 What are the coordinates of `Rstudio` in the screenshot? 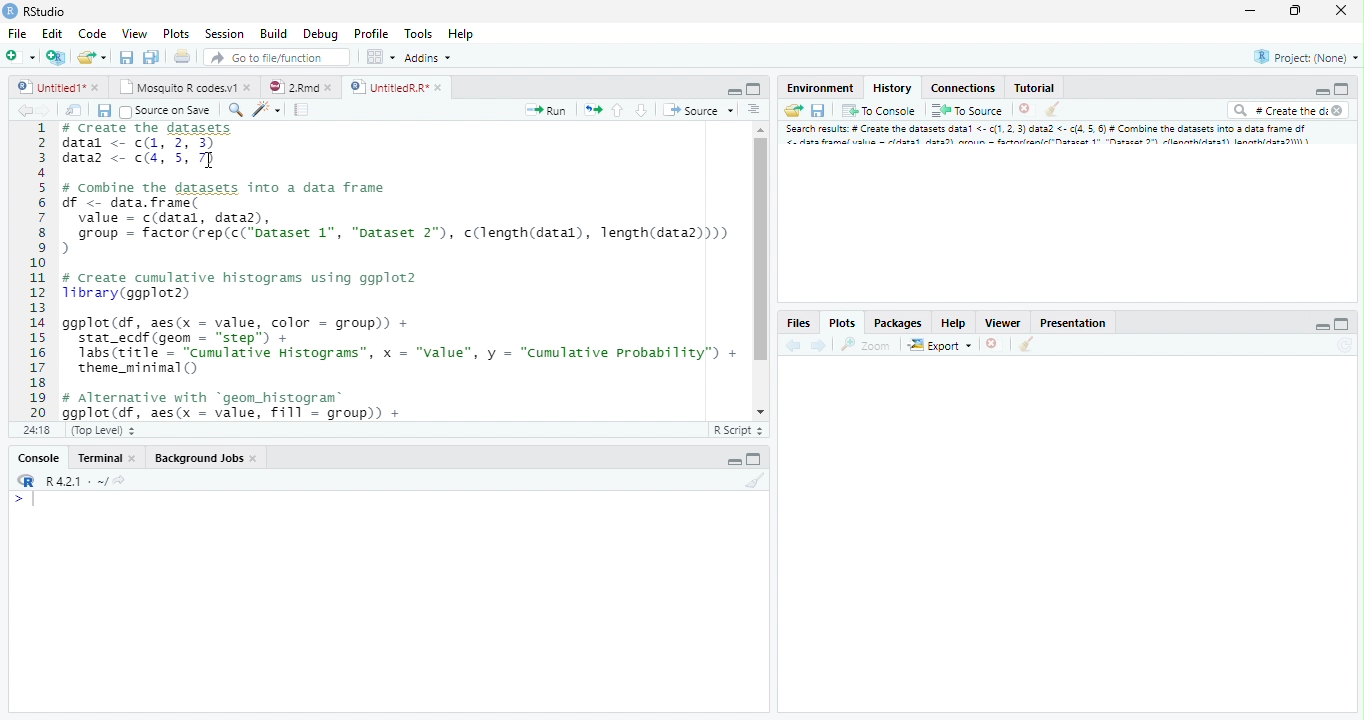 It's located at (34, 10).